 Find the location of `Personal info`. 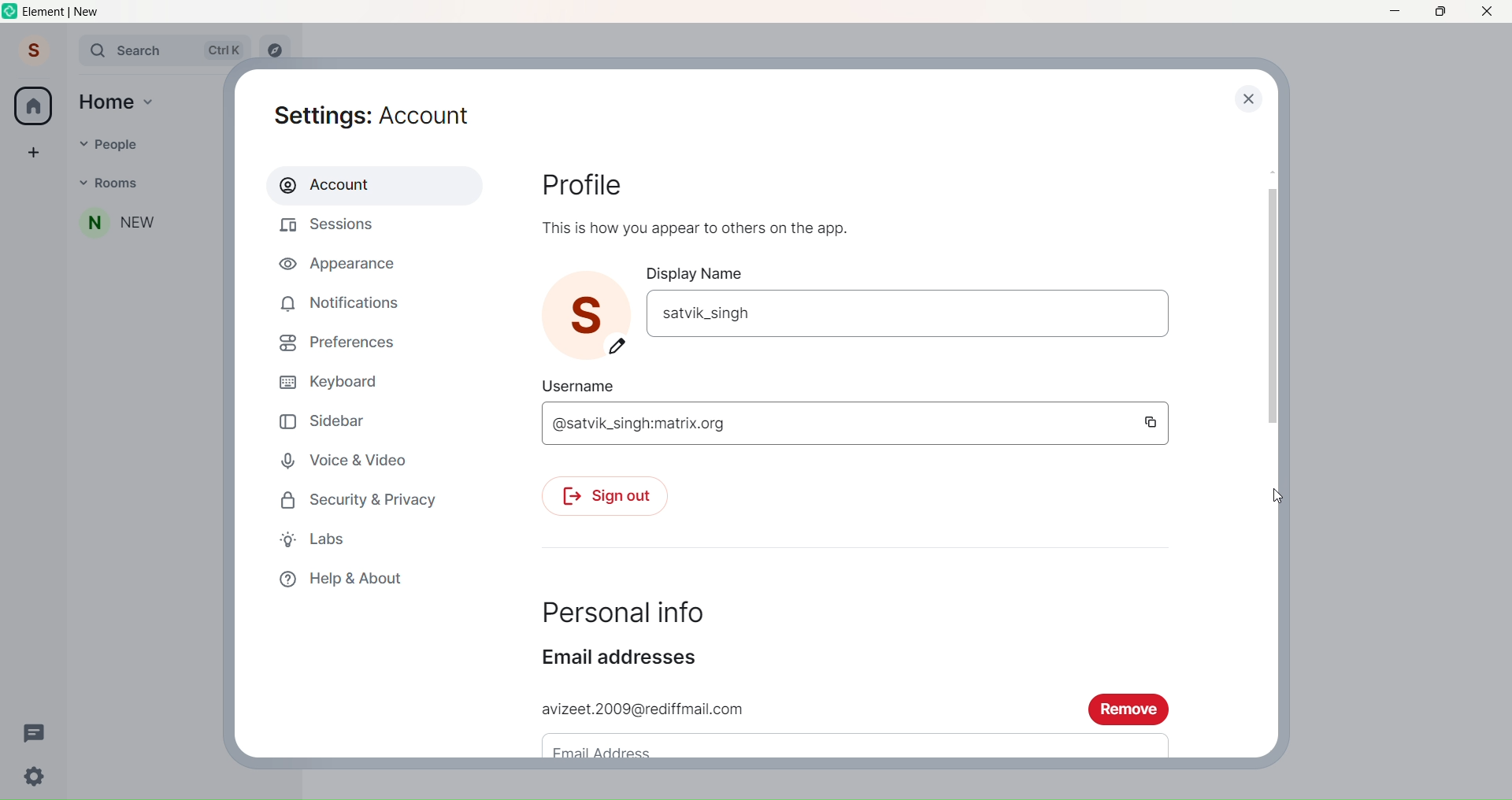

Personal info is located at coordinates (633, 609).